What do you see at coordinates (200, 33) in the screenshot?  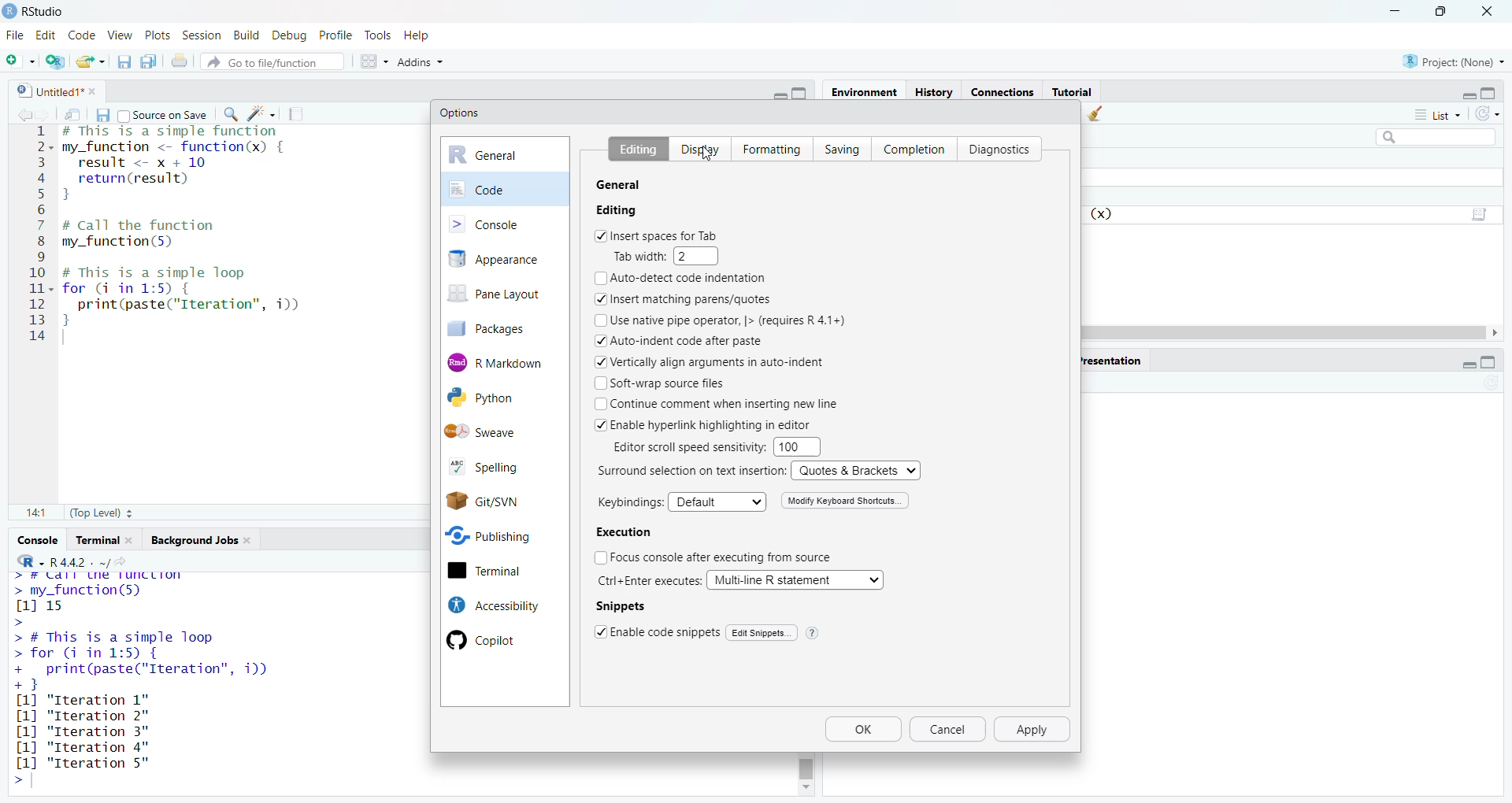 I see `session` at bounding box center [200, 33].